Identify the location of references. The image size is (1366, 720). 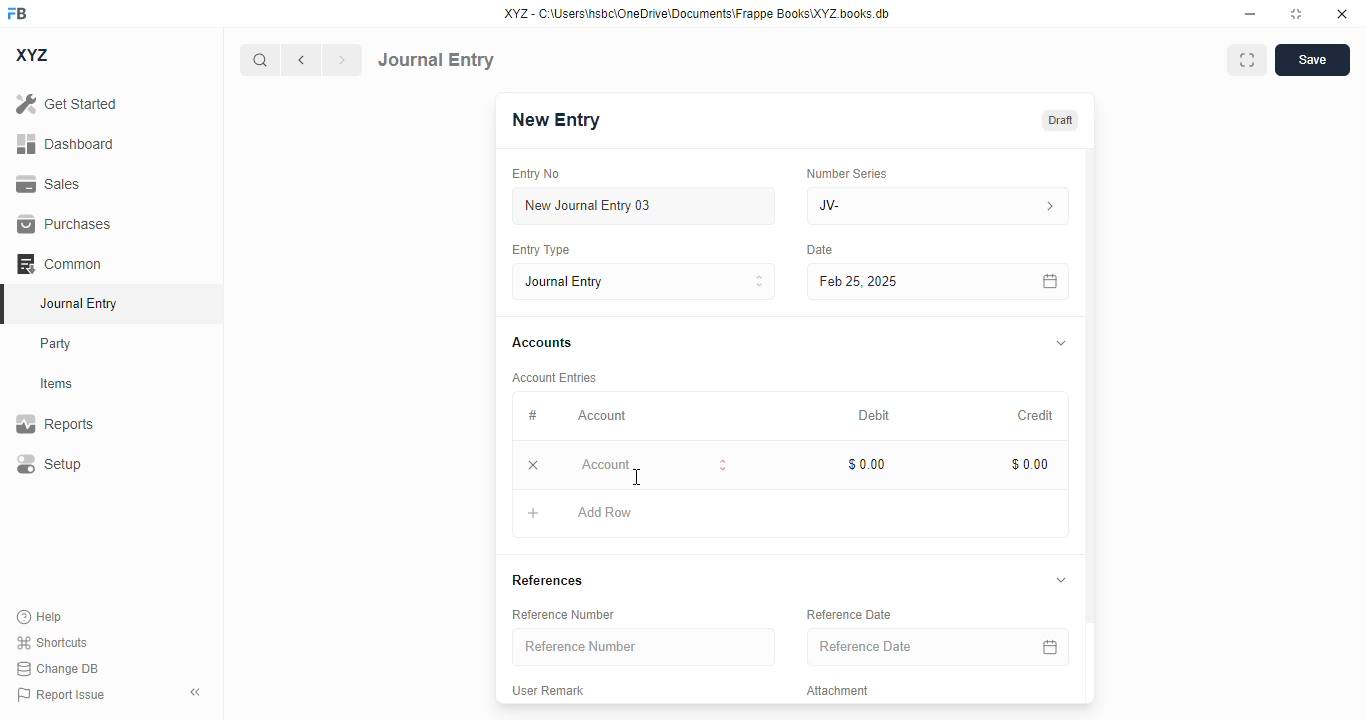
(547, 580).